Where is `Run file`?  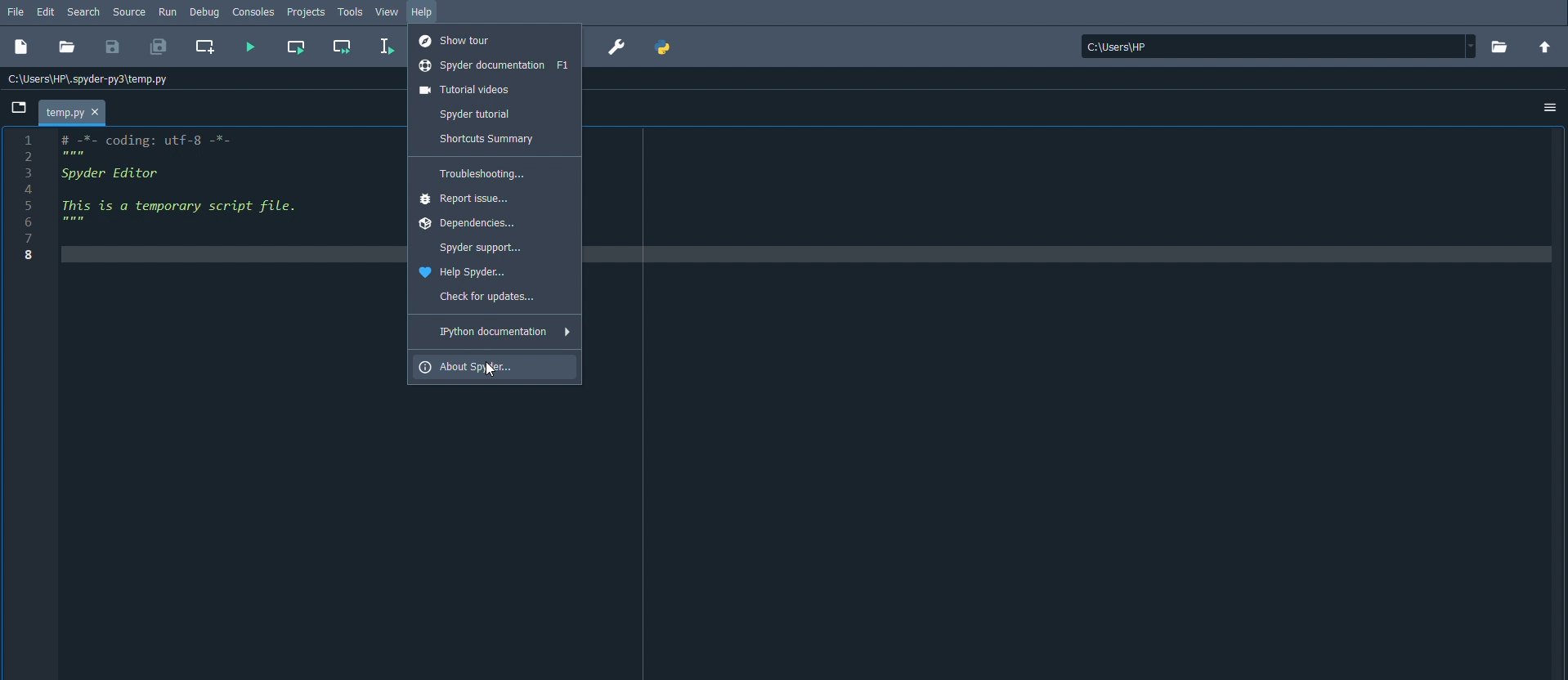
Run file is located at coordinates (252, 46).